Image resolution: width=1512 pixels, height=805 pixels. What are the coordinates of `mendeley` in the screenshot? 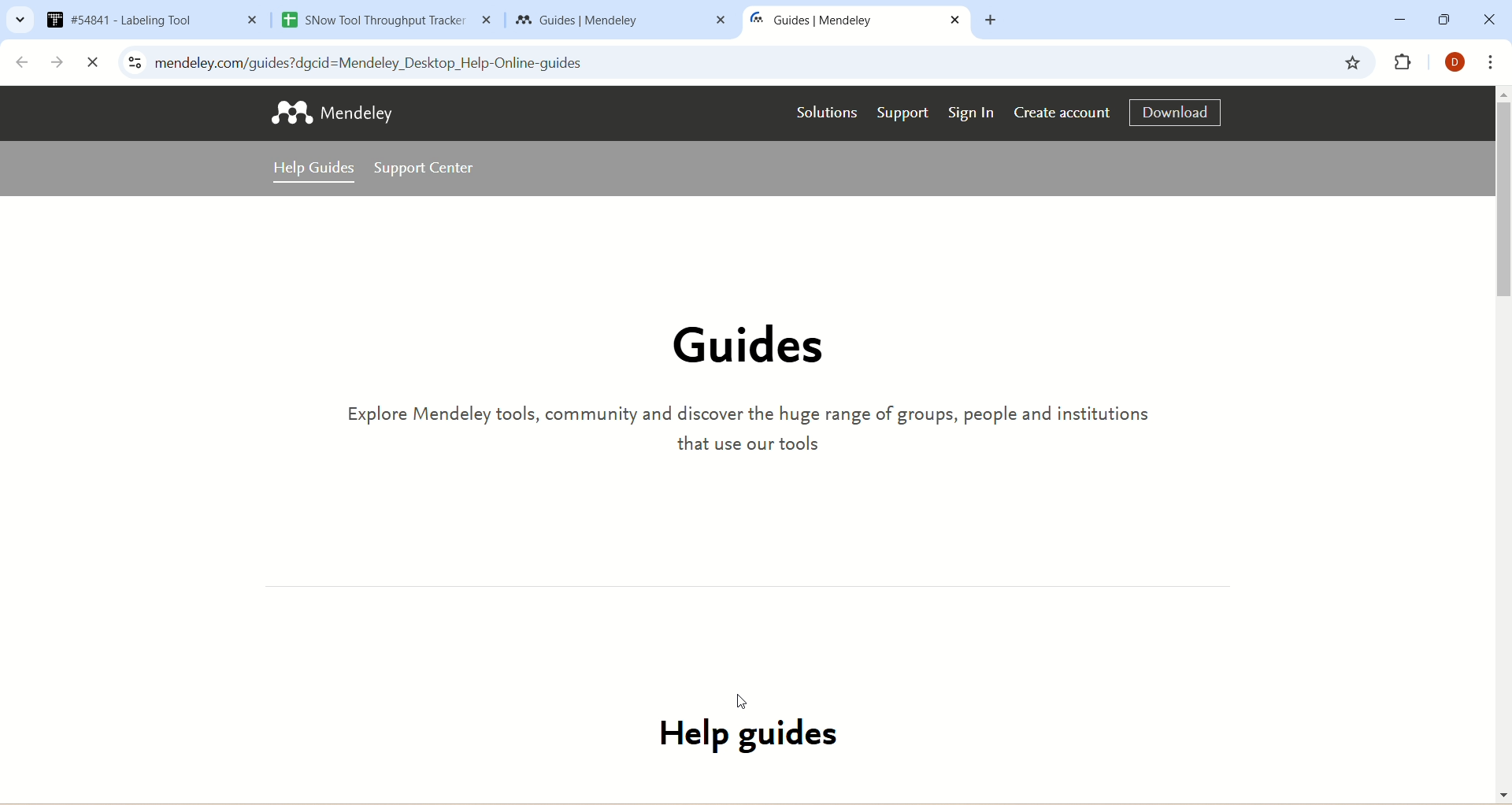 It's located at (358, 114).